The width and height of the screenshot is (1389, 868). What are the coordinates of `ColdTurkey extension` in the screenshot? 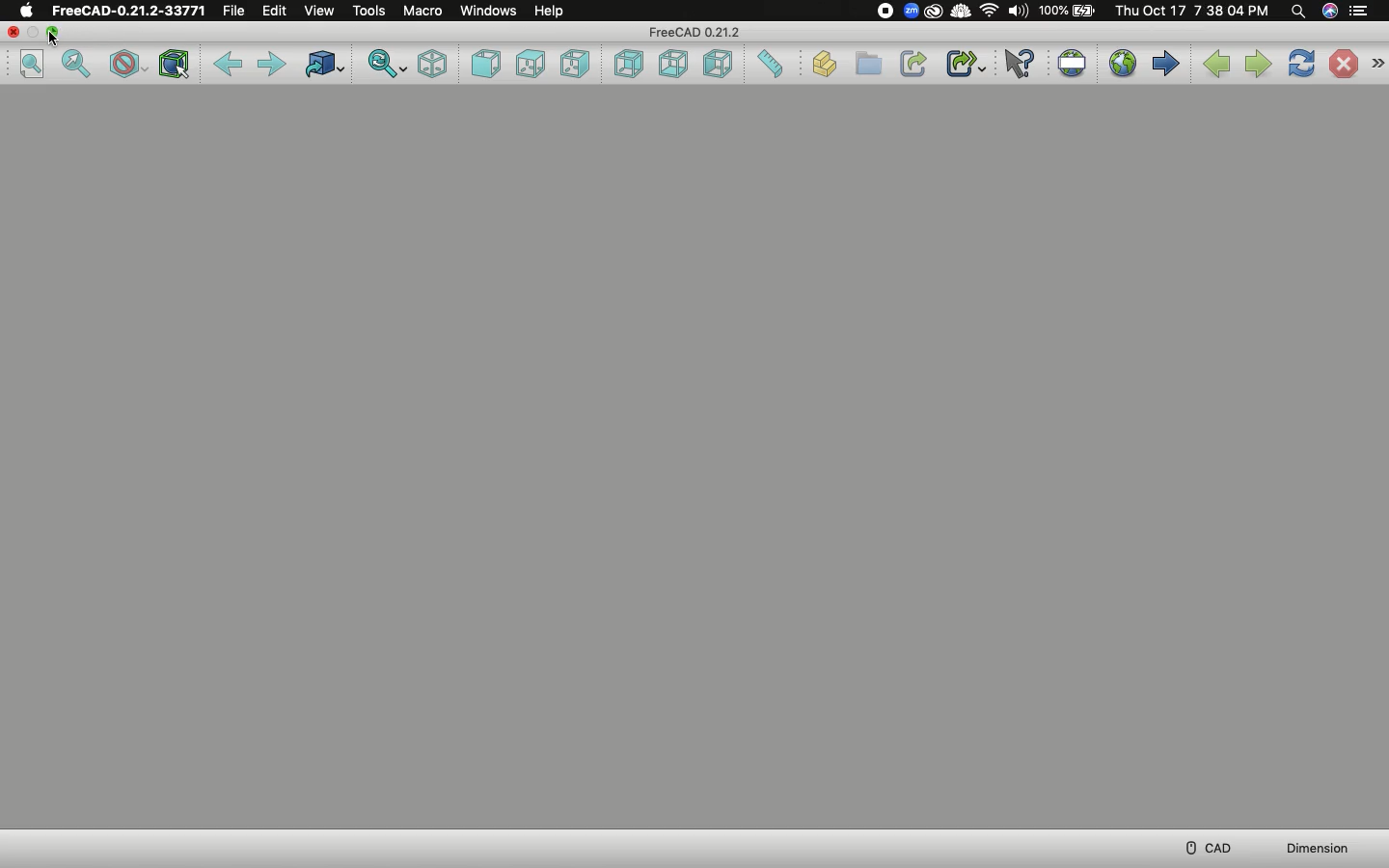 It's located at (963, 10).